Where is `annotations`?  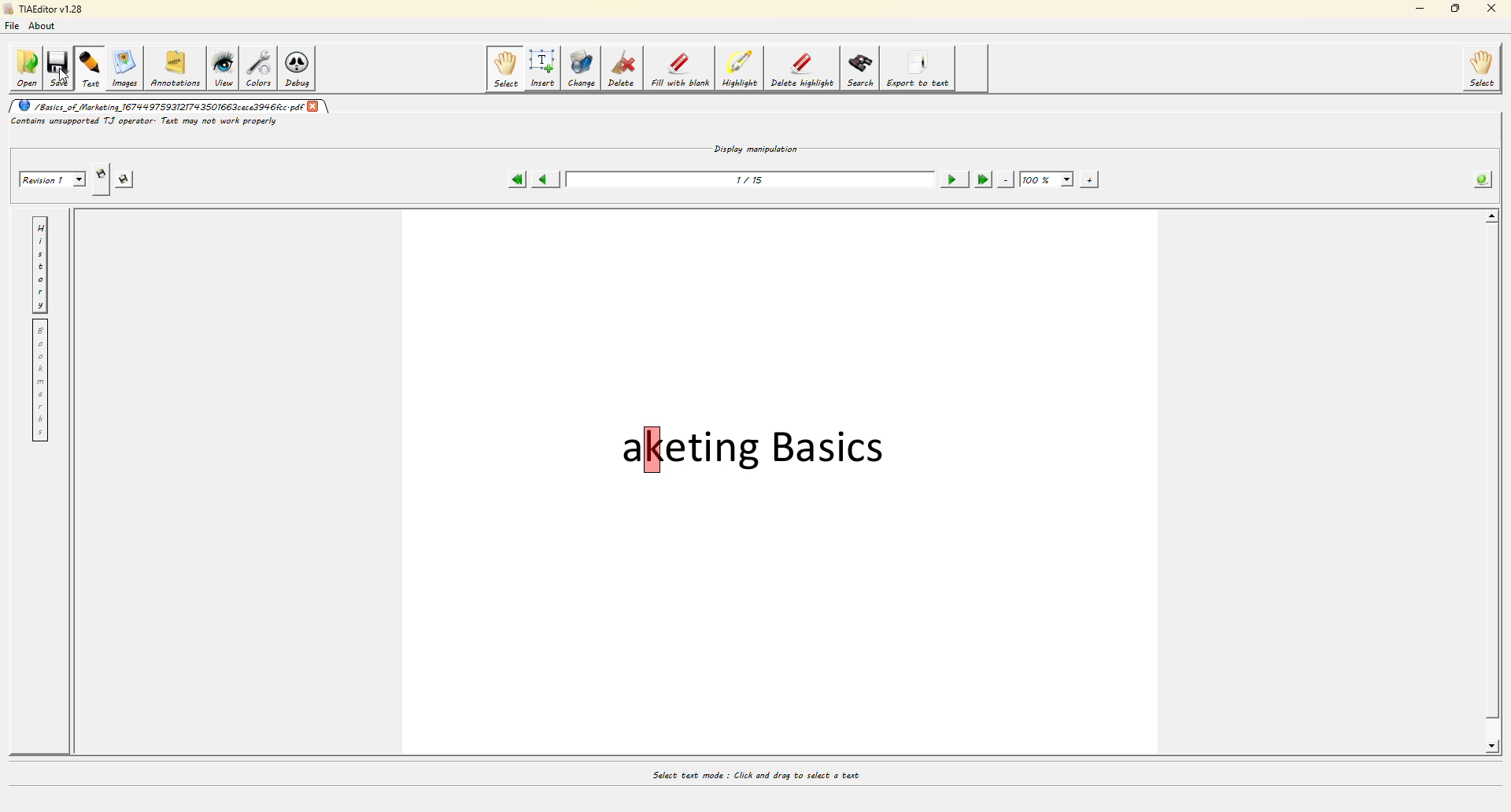 annotations is located at coordinates (175, 65).